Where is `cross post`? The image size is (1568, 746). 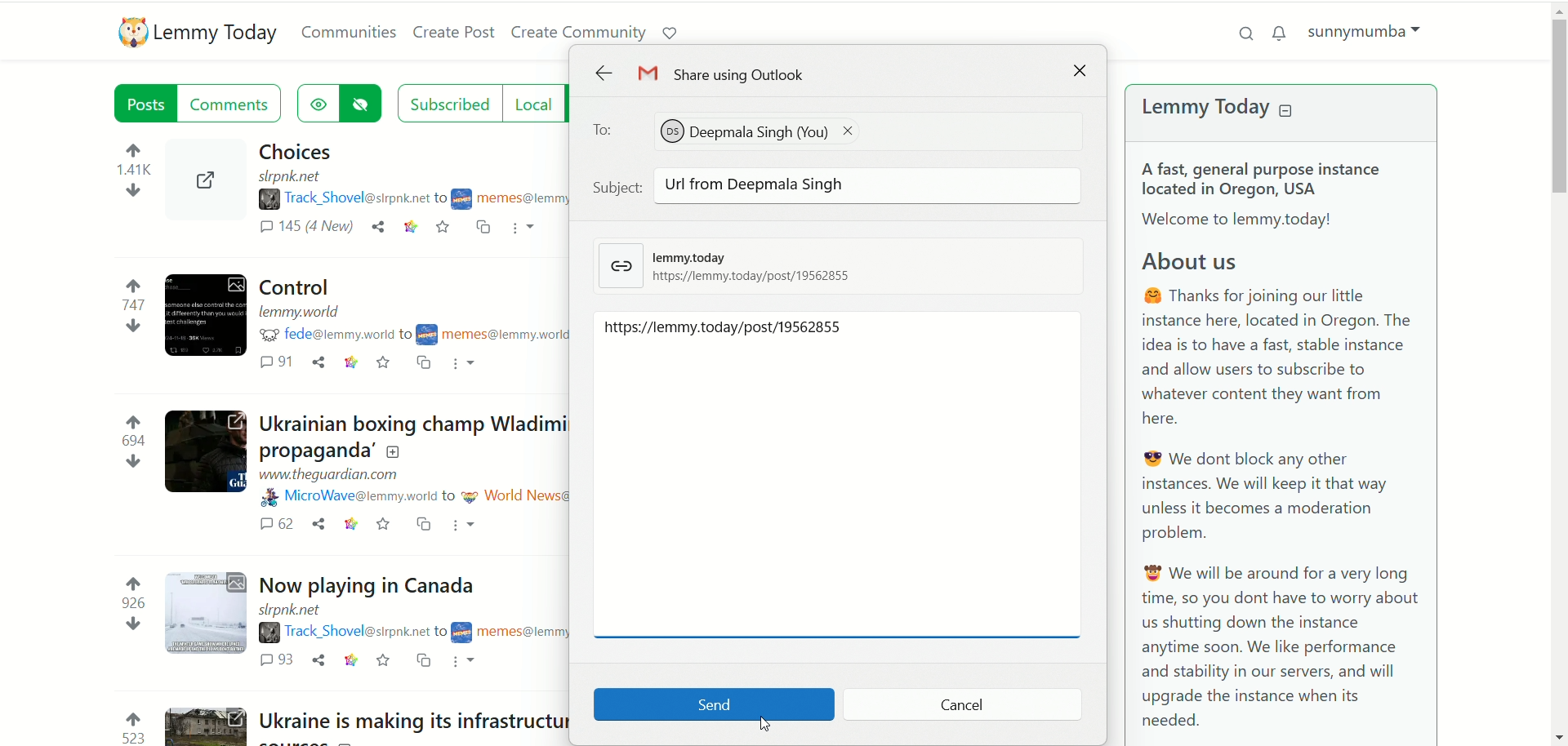
cross post is located at coordinates (481, 229).